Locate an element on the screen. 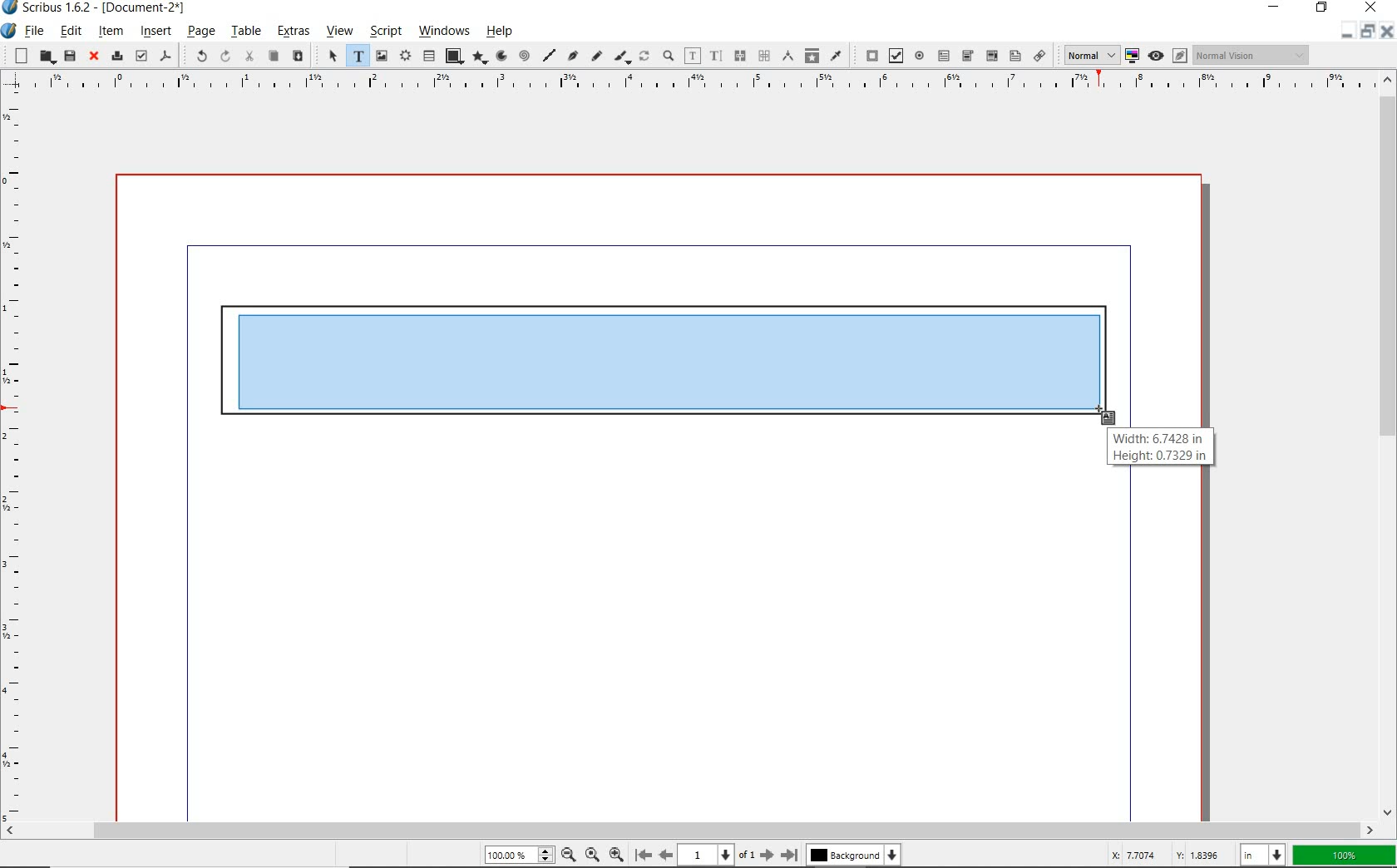 This screenshot has height=868, width=1397. script is located at coordinates (384, 31).